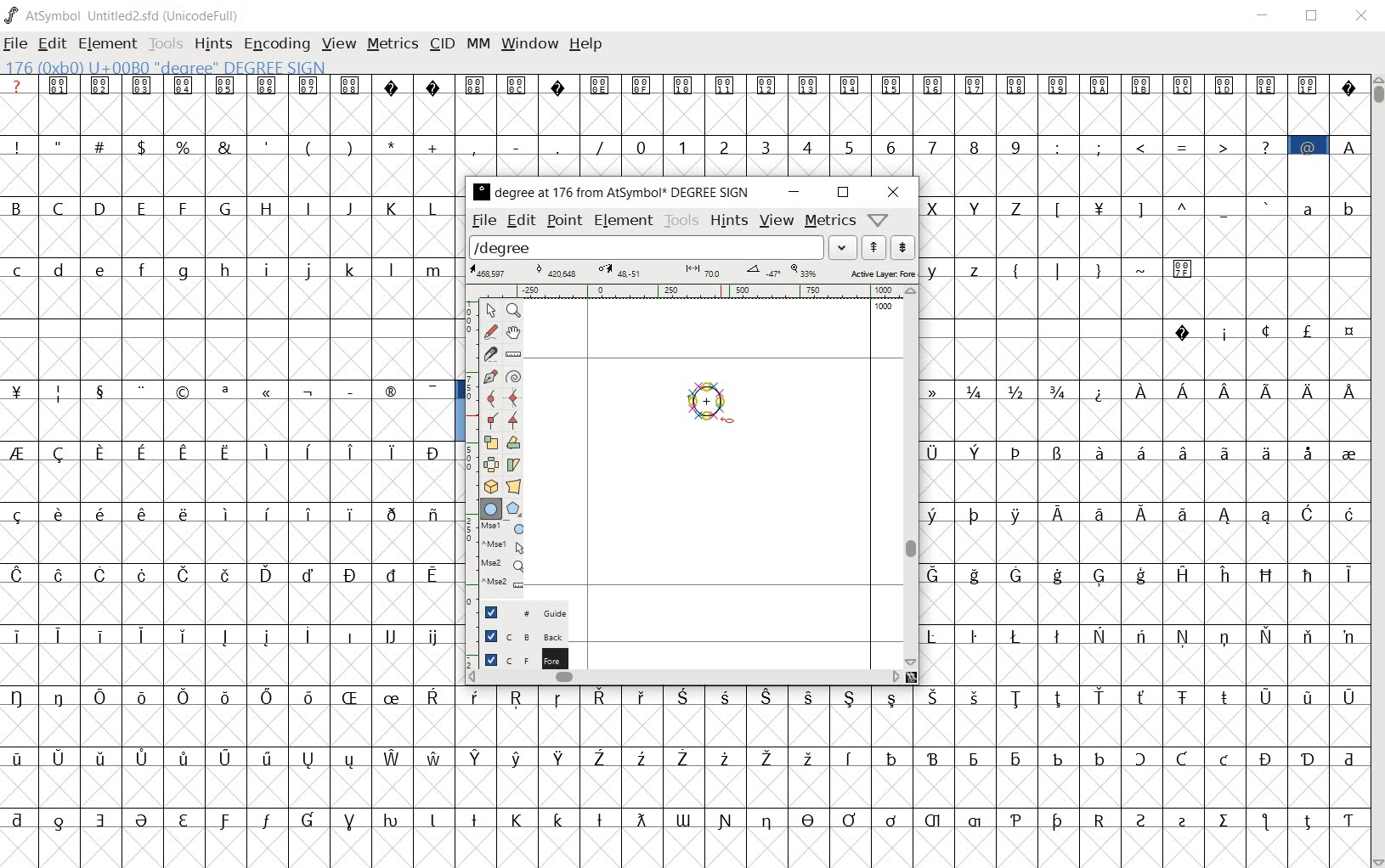 The width and height of the screenshot is (1385, 868). Describe the element at coordinates (893, 193) in the screenshot. I see `close` at that location.